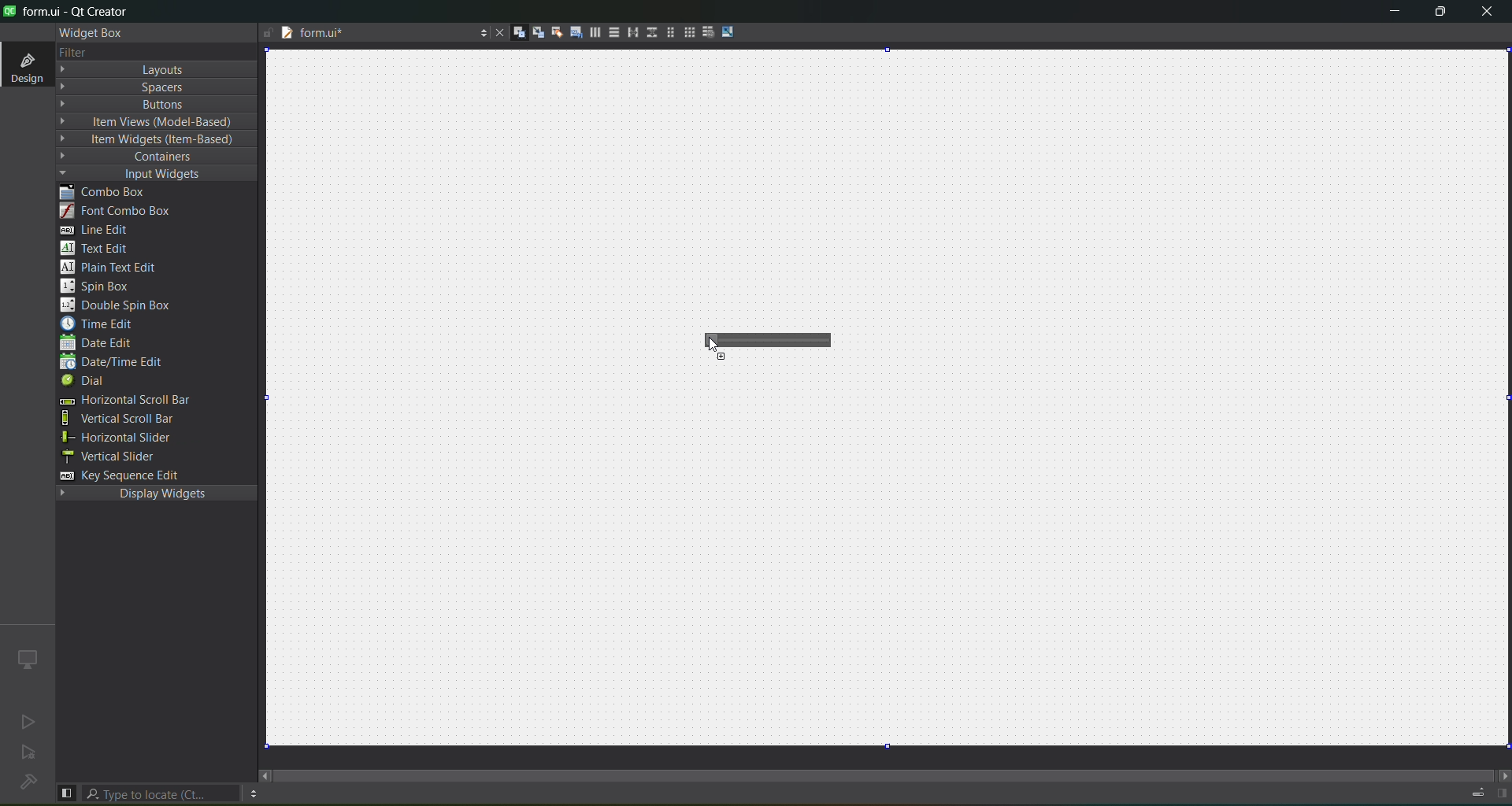 The width and height of the screenshot is (1512, 806). Describe the element at coordinates (691, 31) in the screenshot. I see `layout in a grid` at that location.